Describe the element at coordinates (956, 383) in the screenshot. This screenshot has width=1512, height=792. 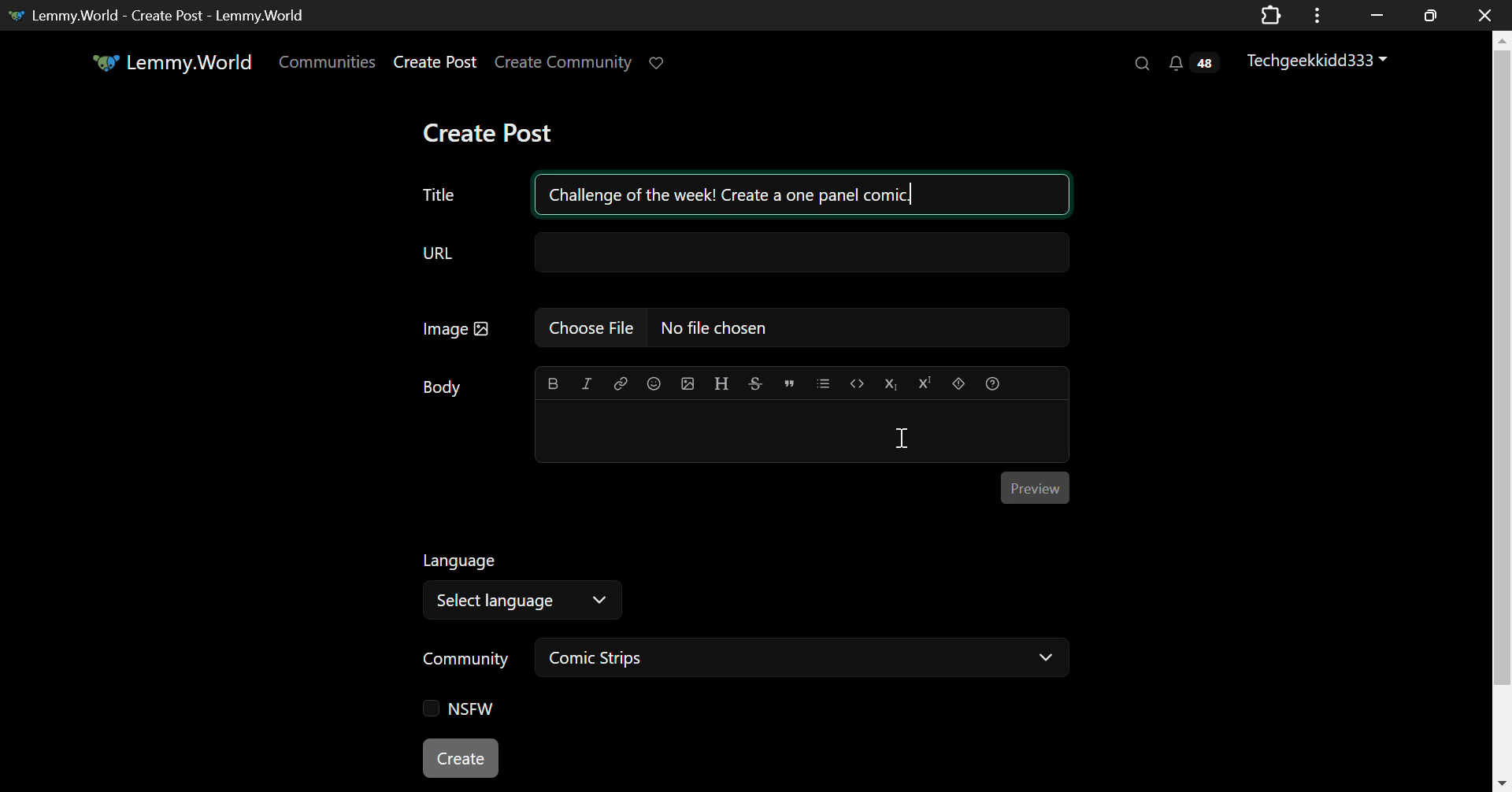
I see `spoiler` at that location.